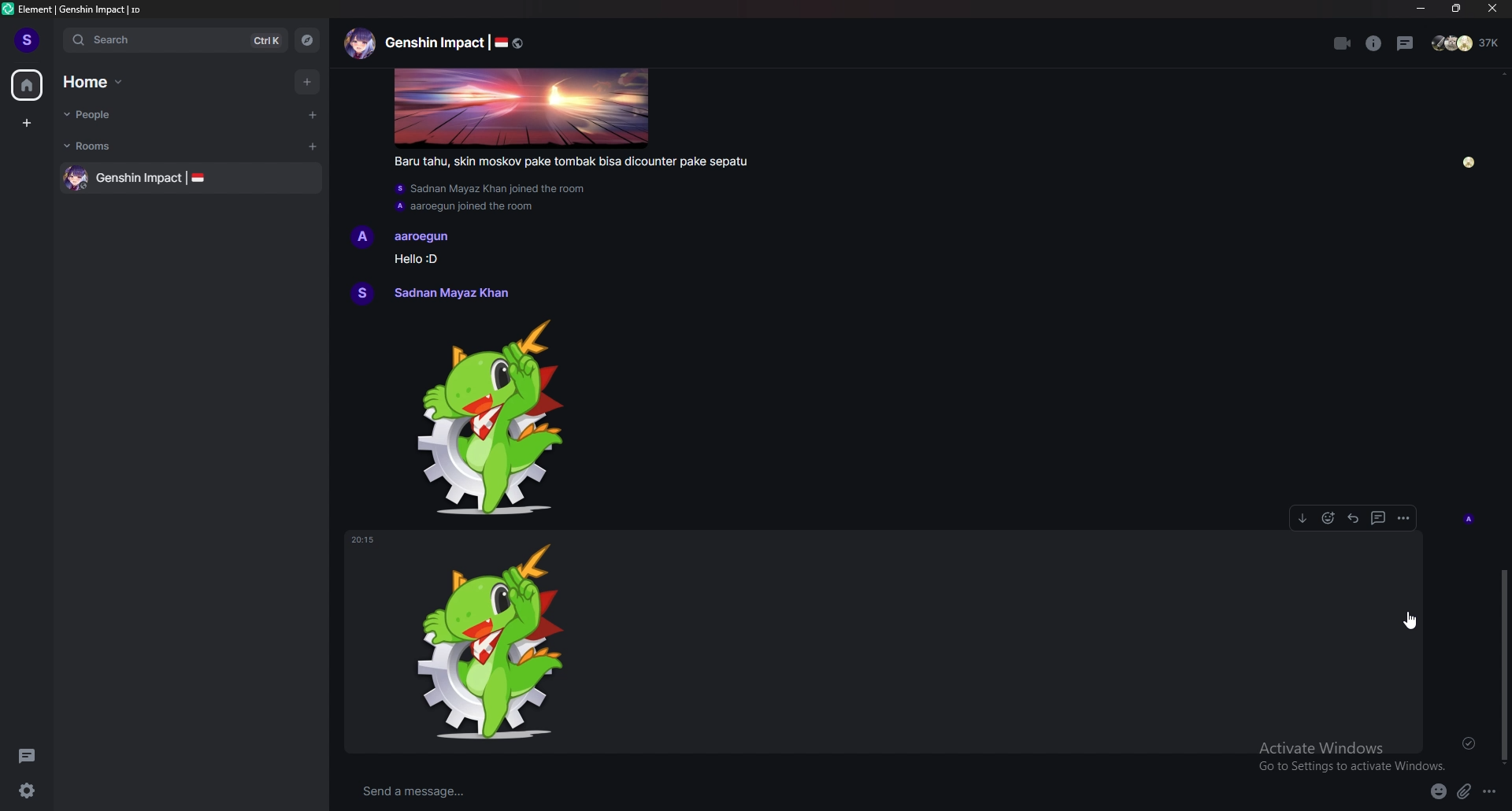  I want to click on video call, so click(1343, 43).